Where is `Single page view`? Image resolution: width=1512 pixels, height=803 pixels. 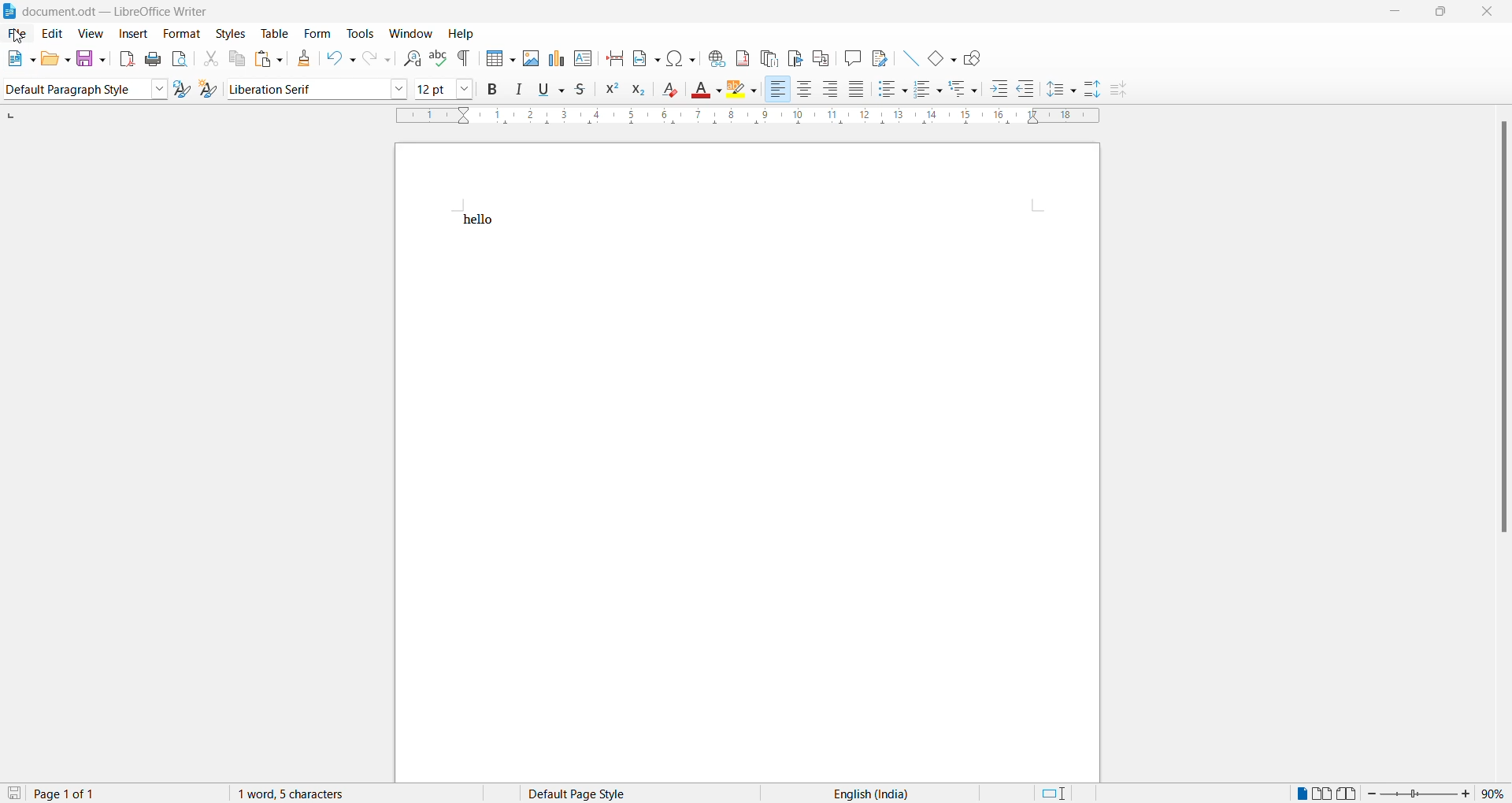
Single page view is located at coordinates (1300, 794).